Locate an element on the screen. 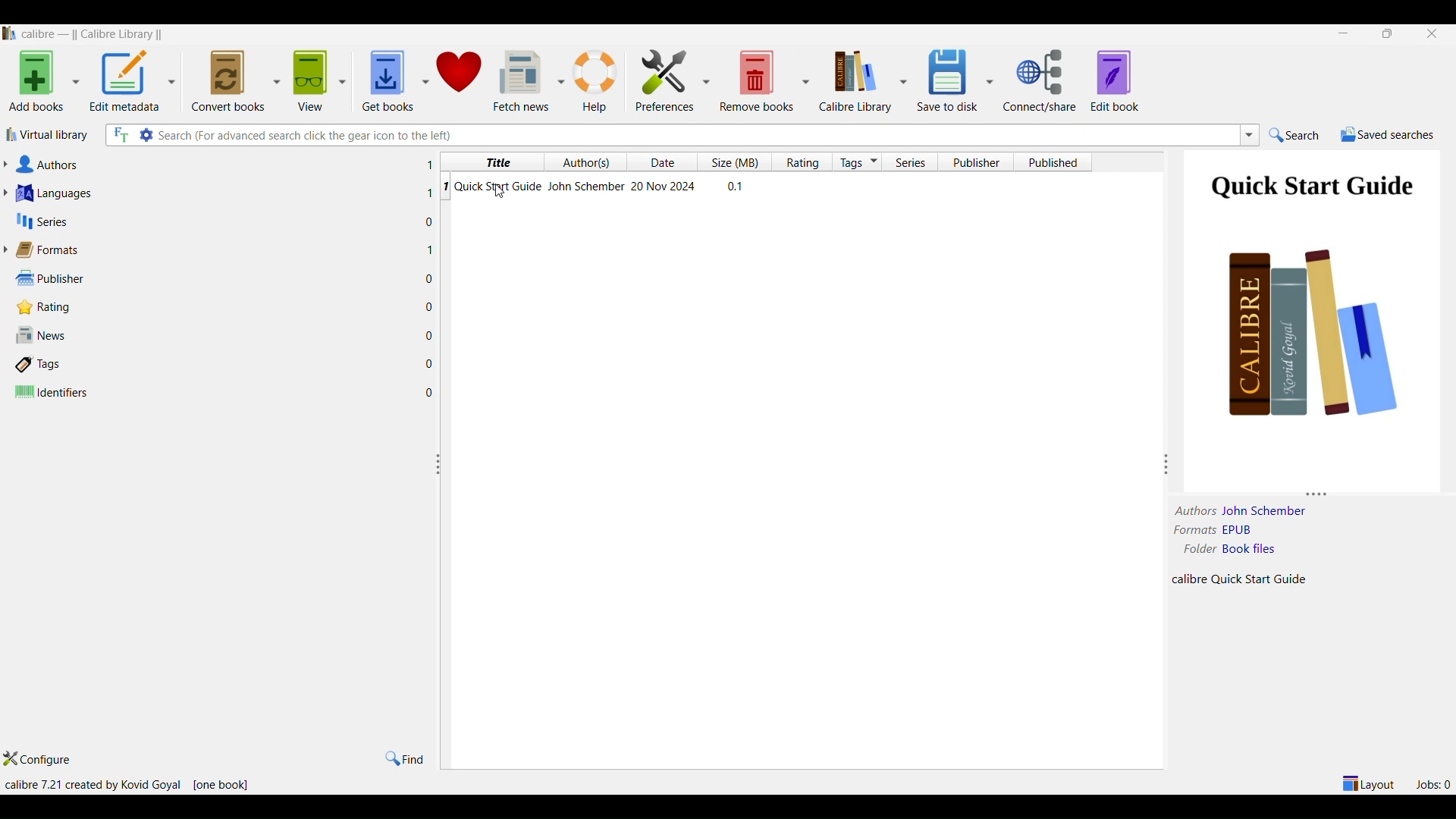 The image size is (1456, 819). close is located at coordinates (1434, 34).